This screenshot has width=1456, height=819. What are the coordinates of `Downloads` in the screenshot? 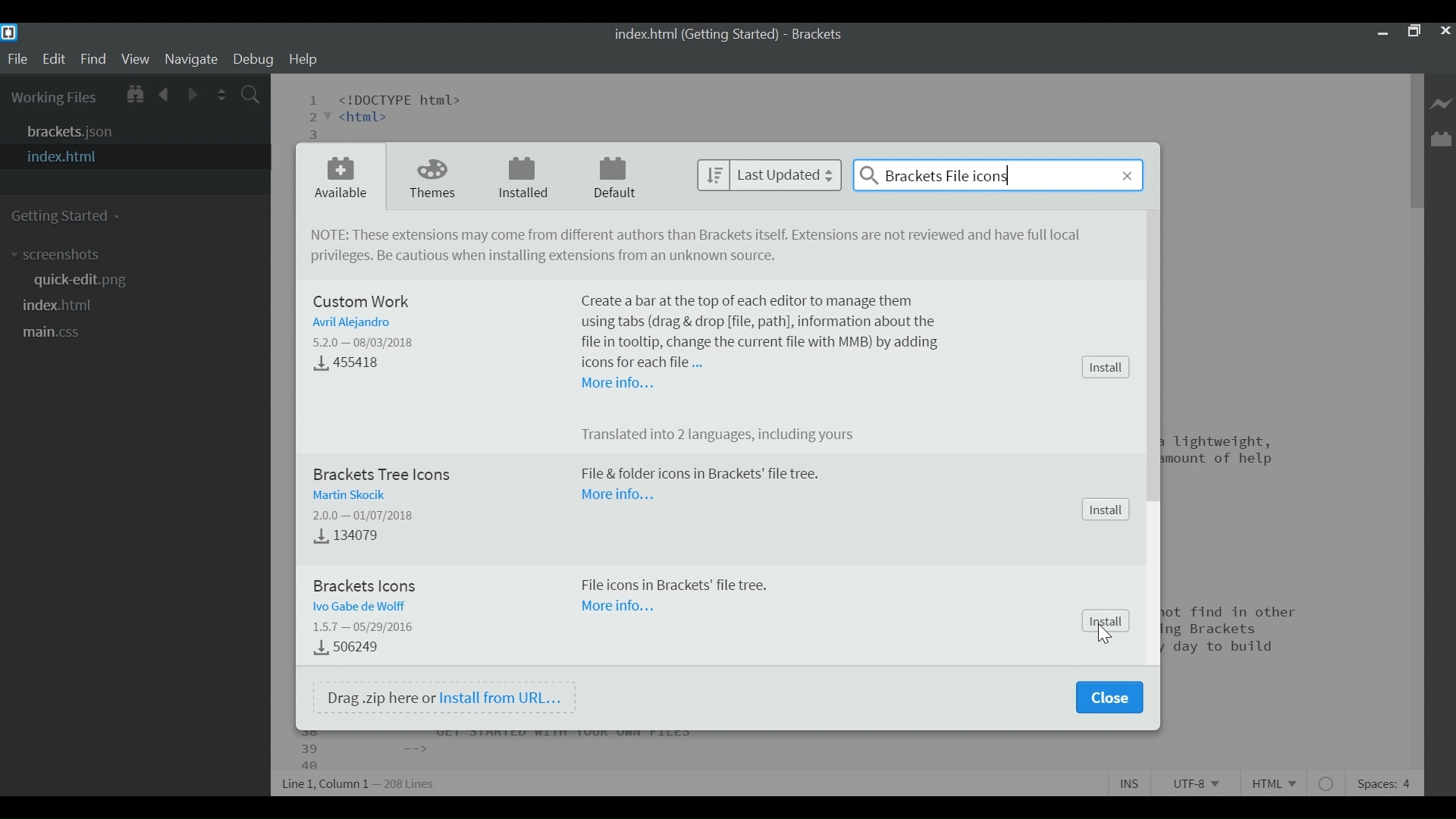 It's located at (356, 365).